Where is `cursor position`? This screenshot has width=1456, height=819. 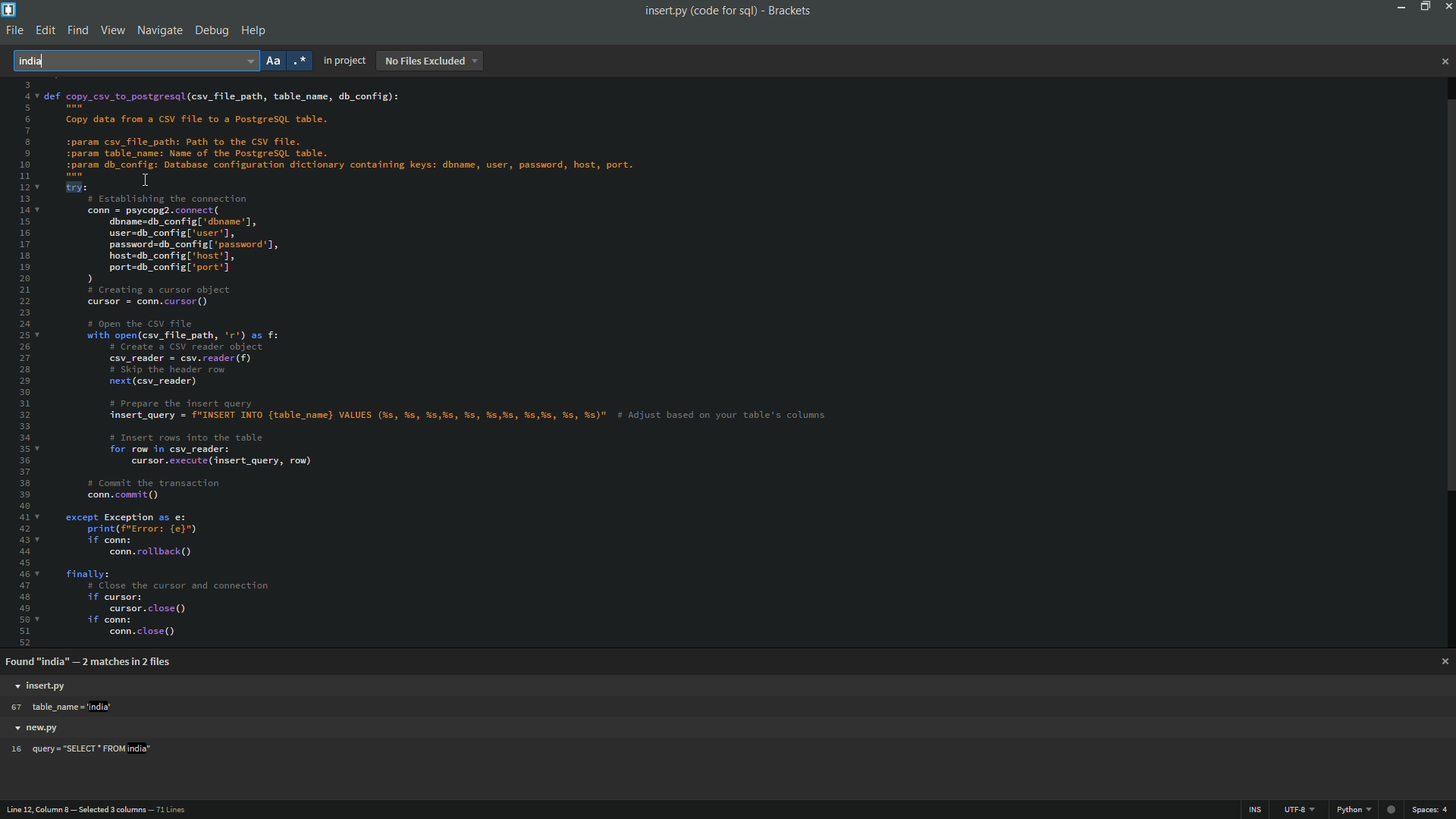 cursor position is located at coordinates (99, 811).